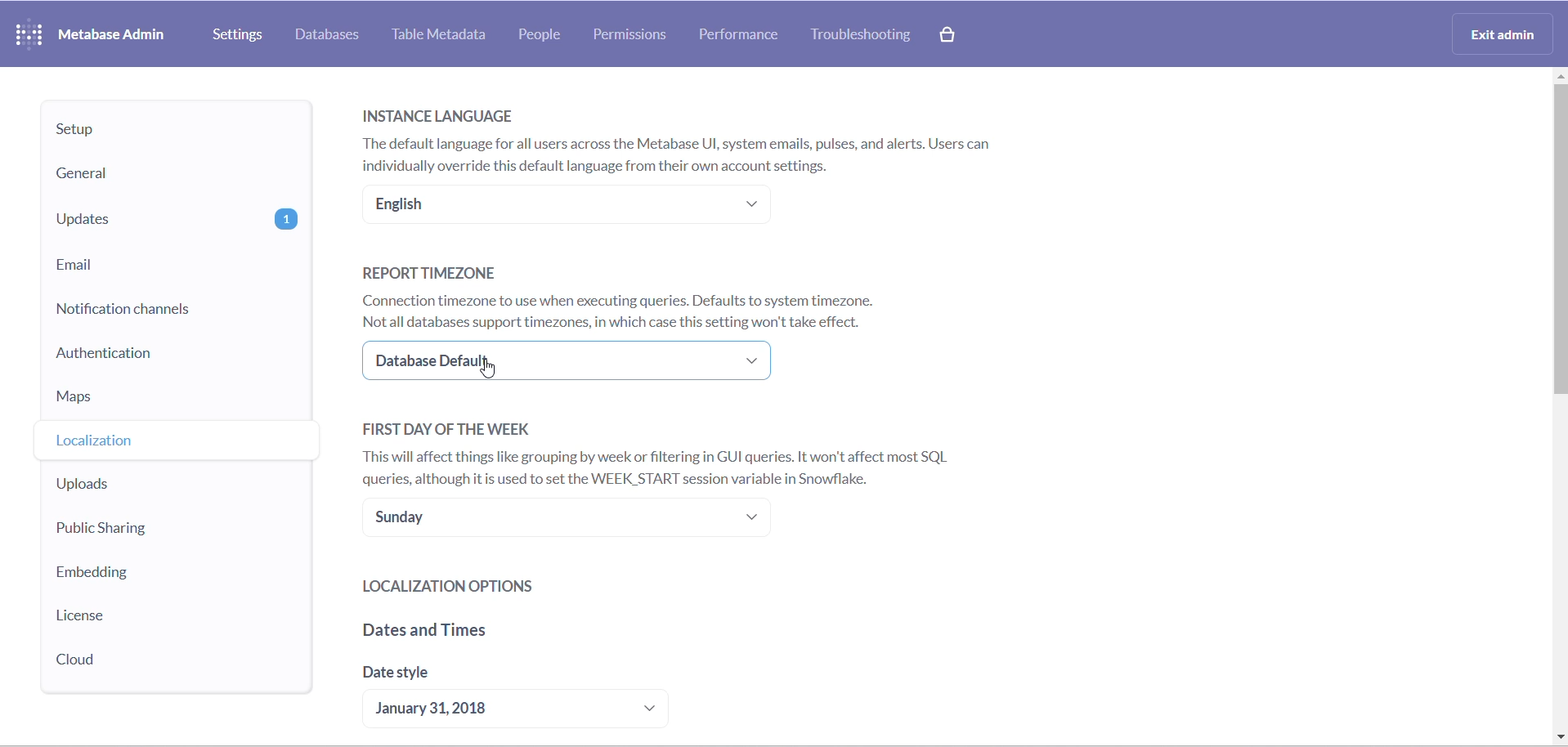  I want to click on SETTINGS, so click(240, 34).